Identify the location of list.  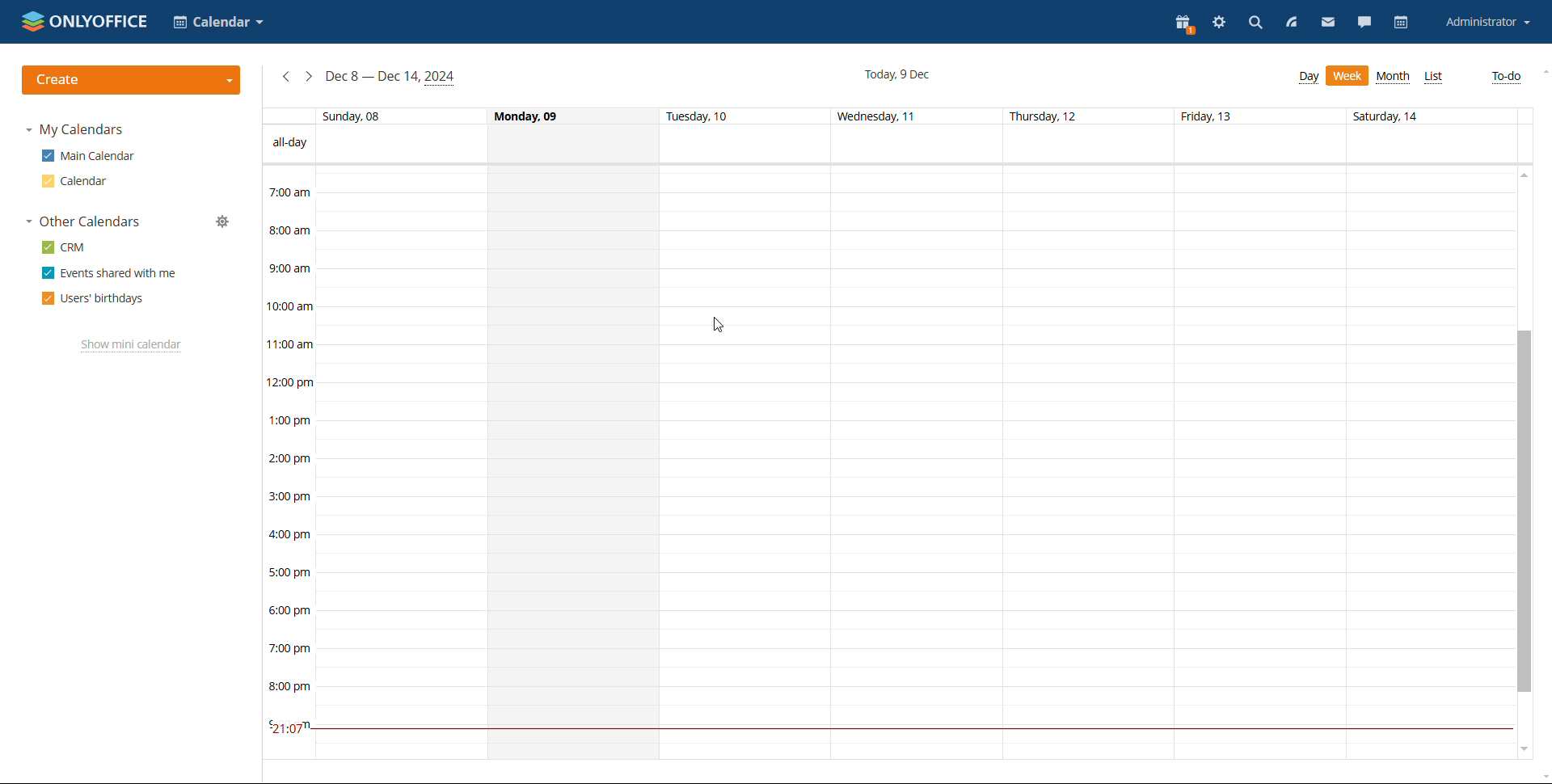
(1434, 77).